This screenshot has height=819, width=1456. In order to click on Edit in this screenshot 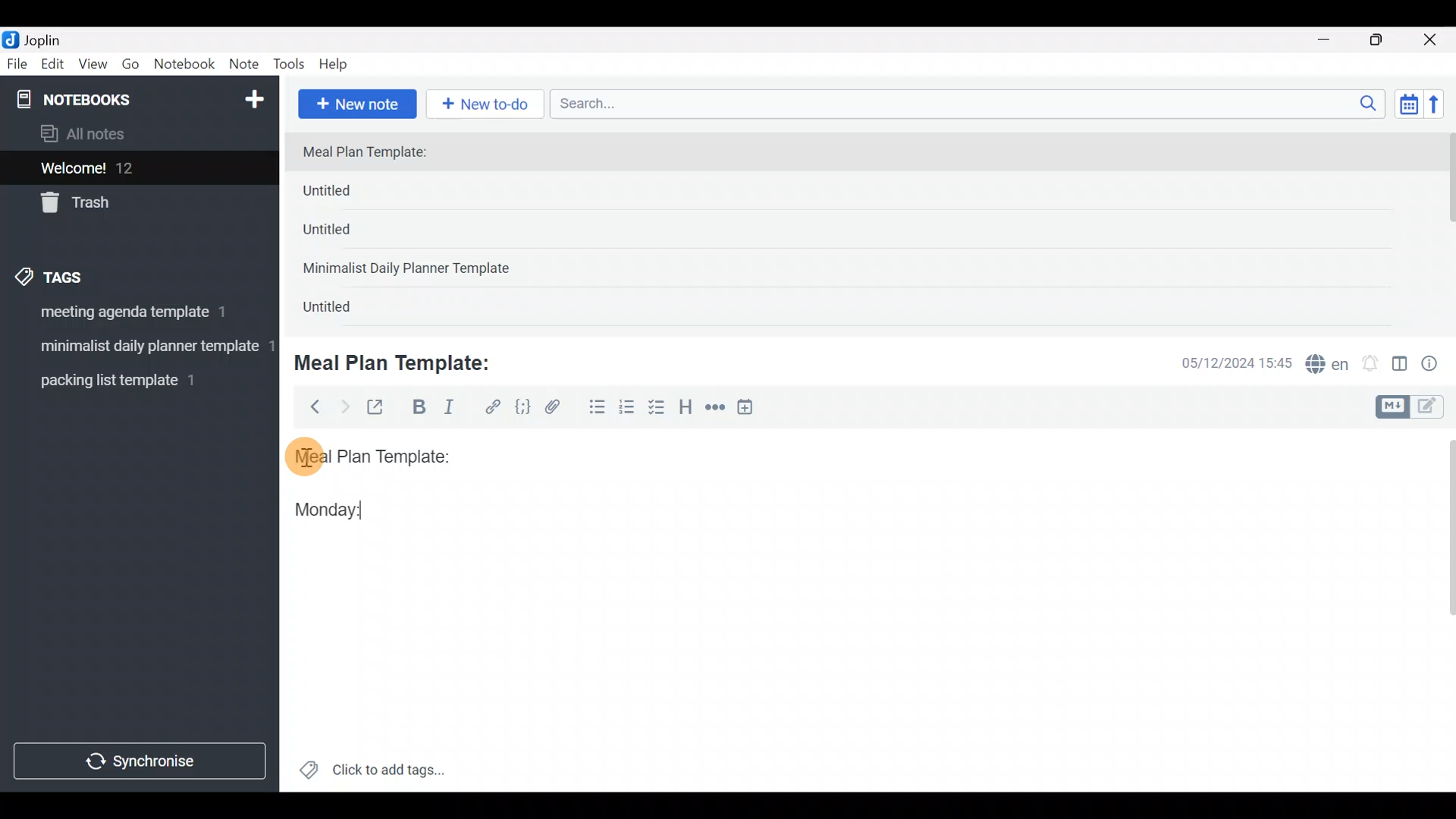, I will do `click(53, 67)`.